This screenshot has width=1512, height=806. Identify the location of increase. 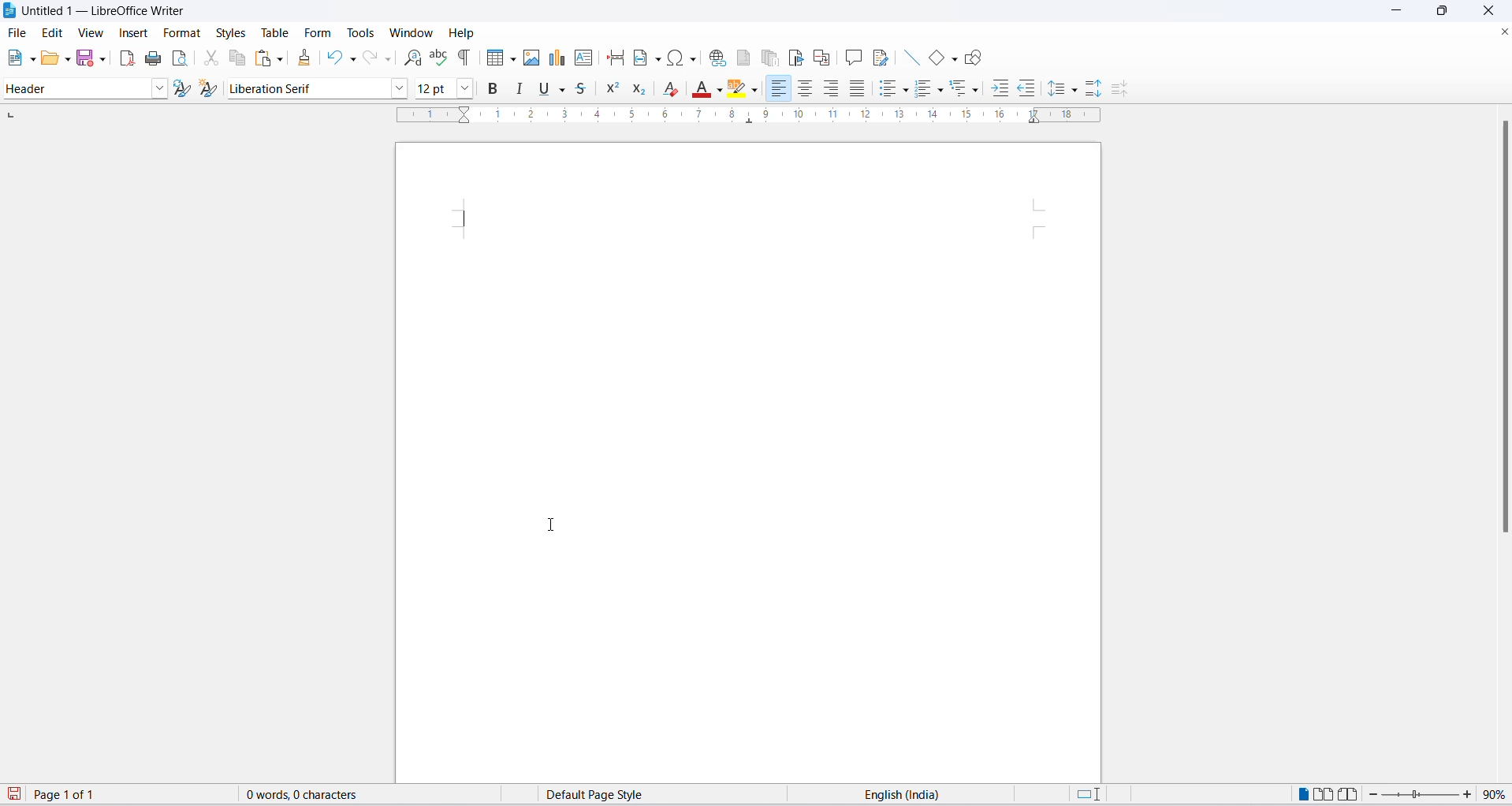
(1469, 794).